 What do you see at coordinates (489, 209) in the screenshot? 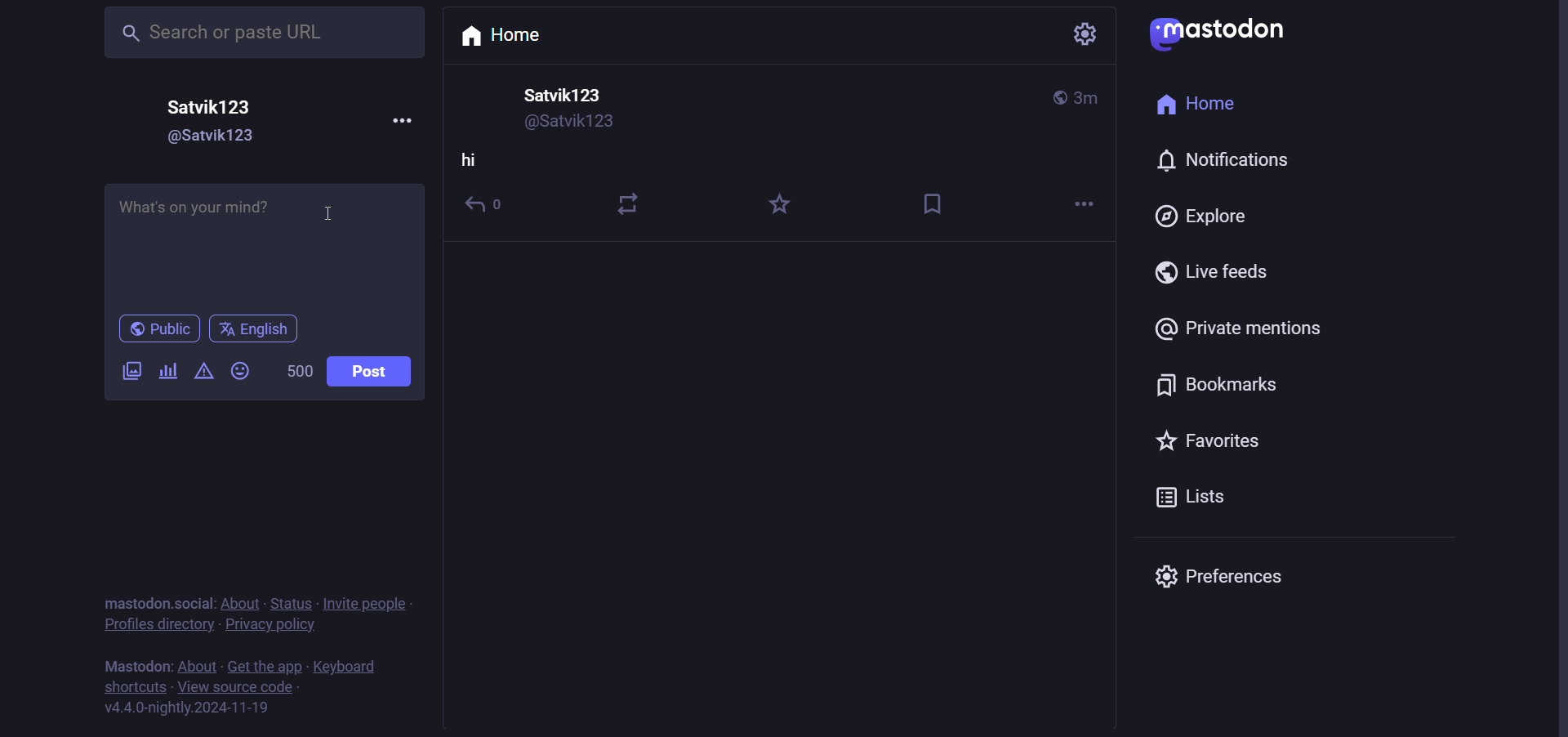
I see `reply` at bounding box center [489, 209].